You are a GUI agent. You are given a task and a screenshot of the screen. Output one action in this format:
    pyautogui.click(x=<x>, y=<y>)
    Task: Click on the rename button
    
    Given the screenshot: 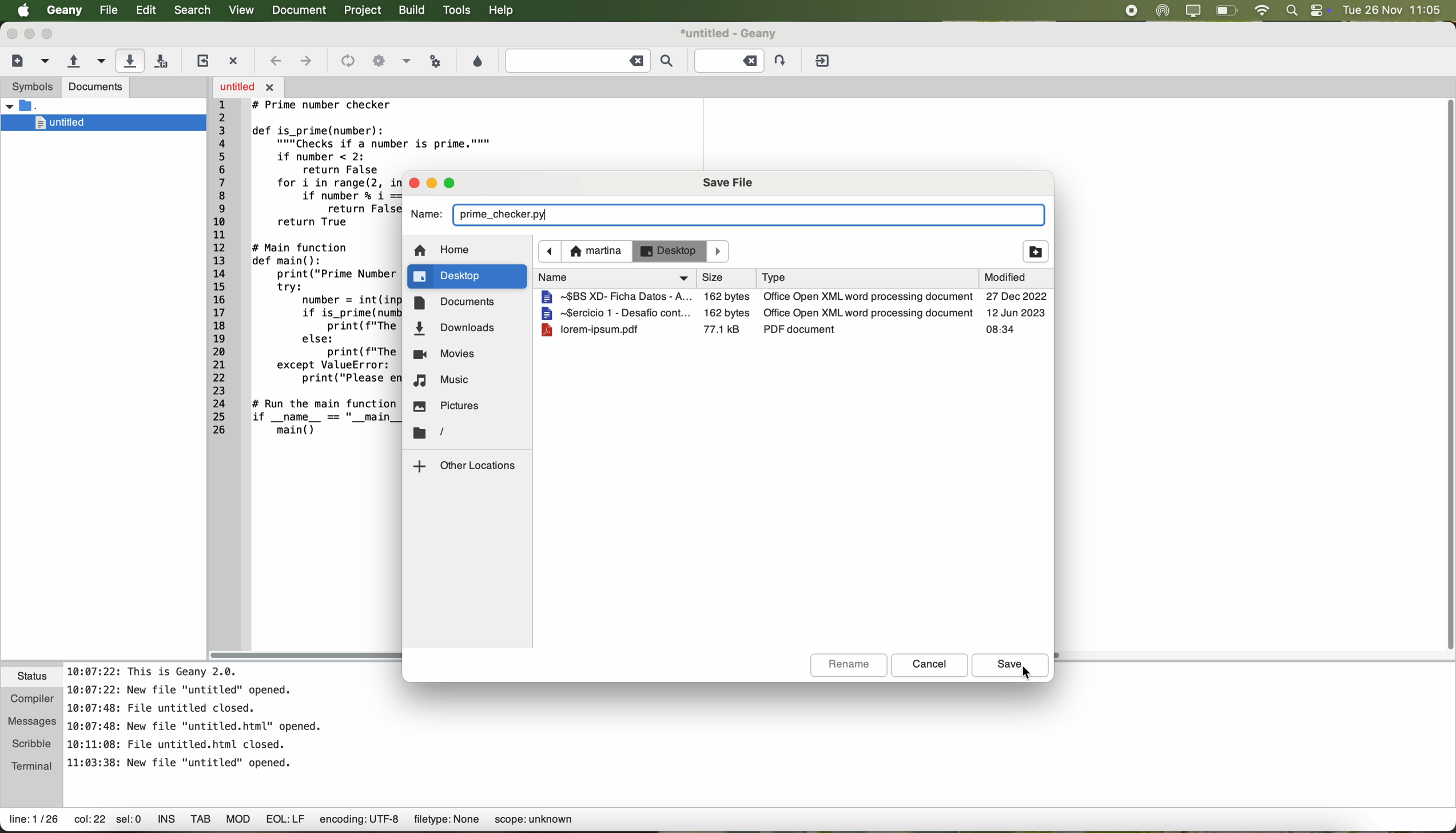 What is the action you would take?
    pyautogui.click(x=849, y=666)
    